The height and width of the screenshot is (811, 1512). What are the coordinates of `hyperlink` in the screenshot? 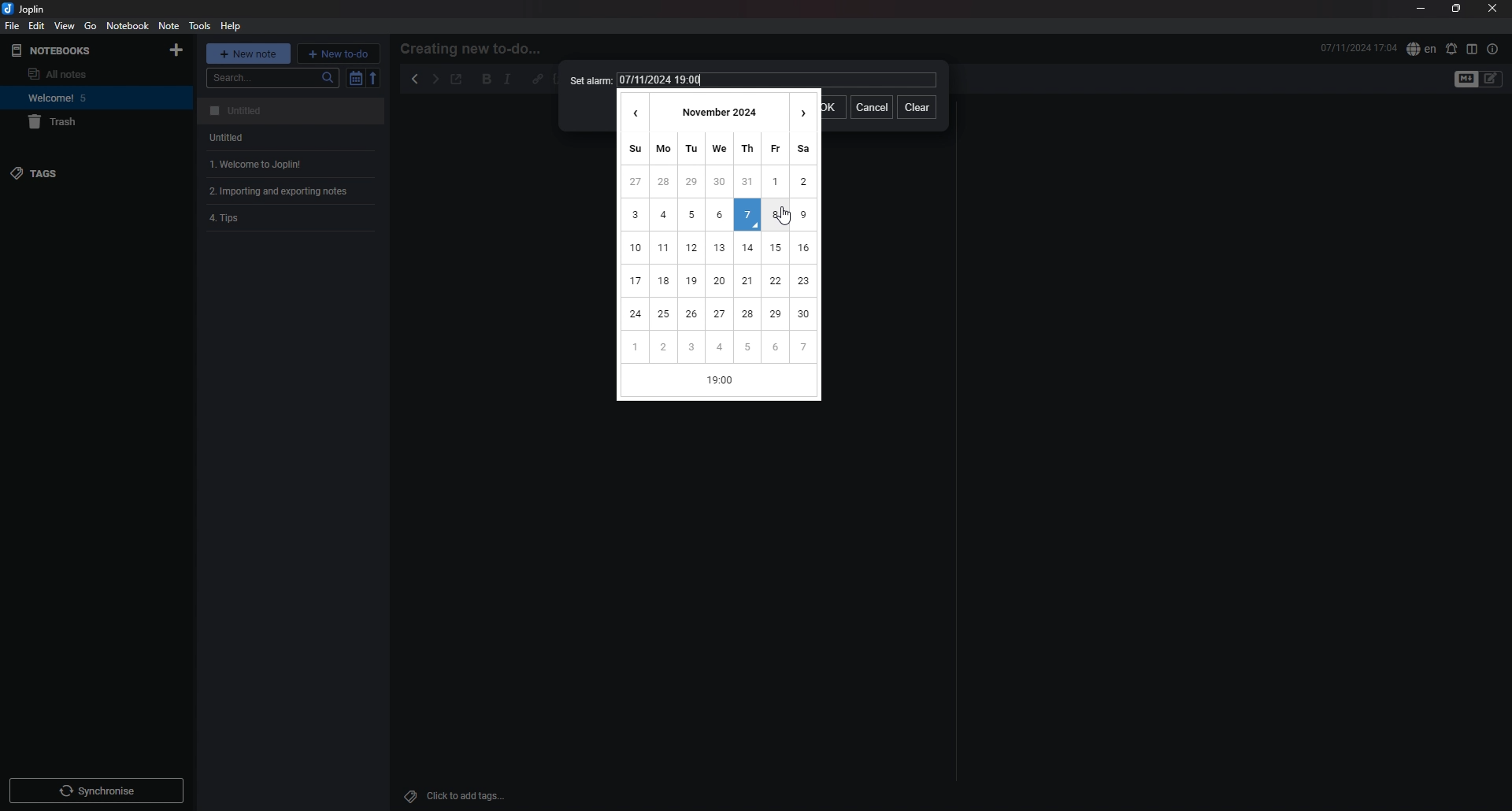 It's located at (539, 79).